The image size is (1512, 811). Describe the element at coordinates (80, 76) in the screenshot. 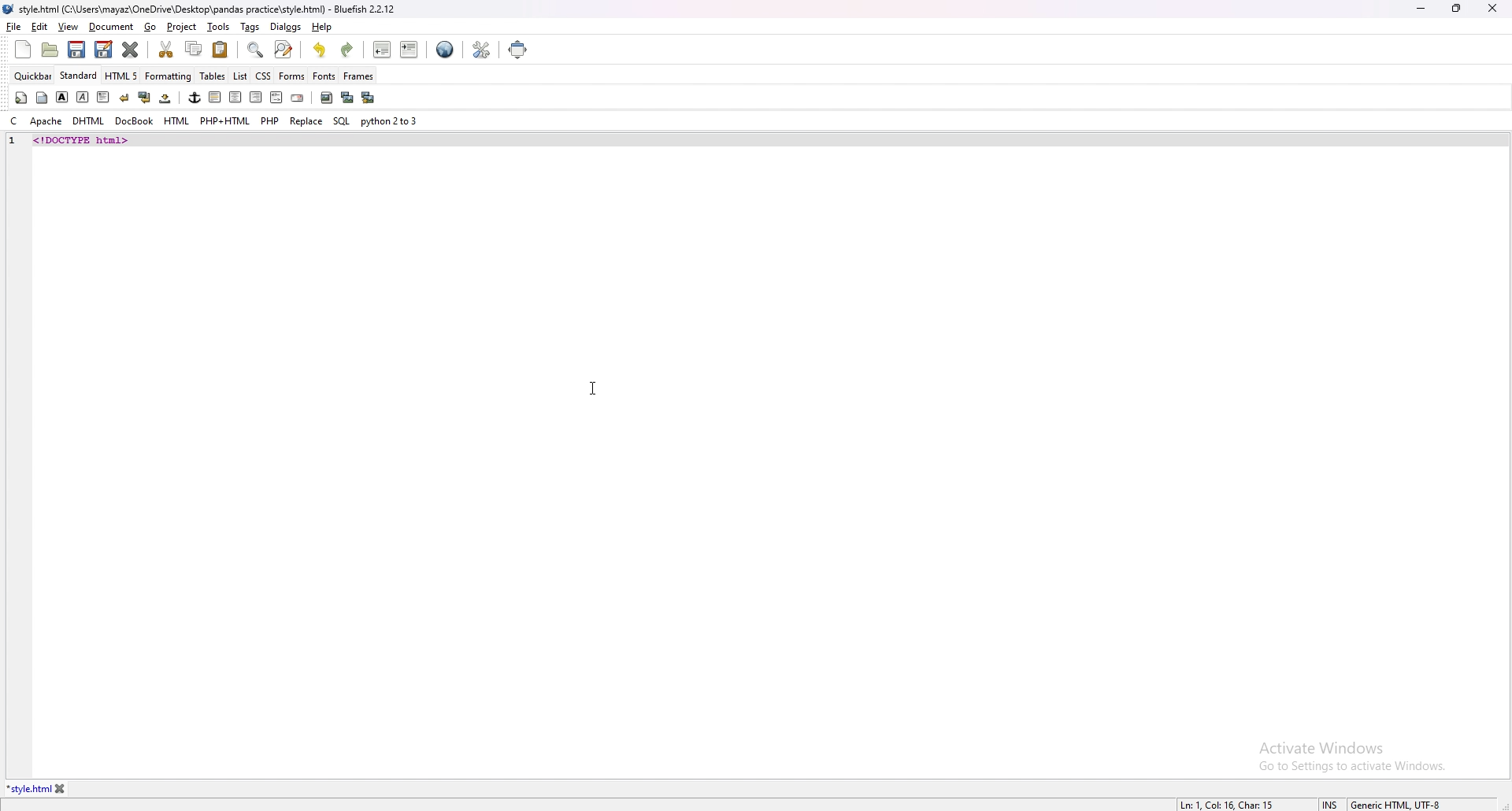

I see `standard` at that location.